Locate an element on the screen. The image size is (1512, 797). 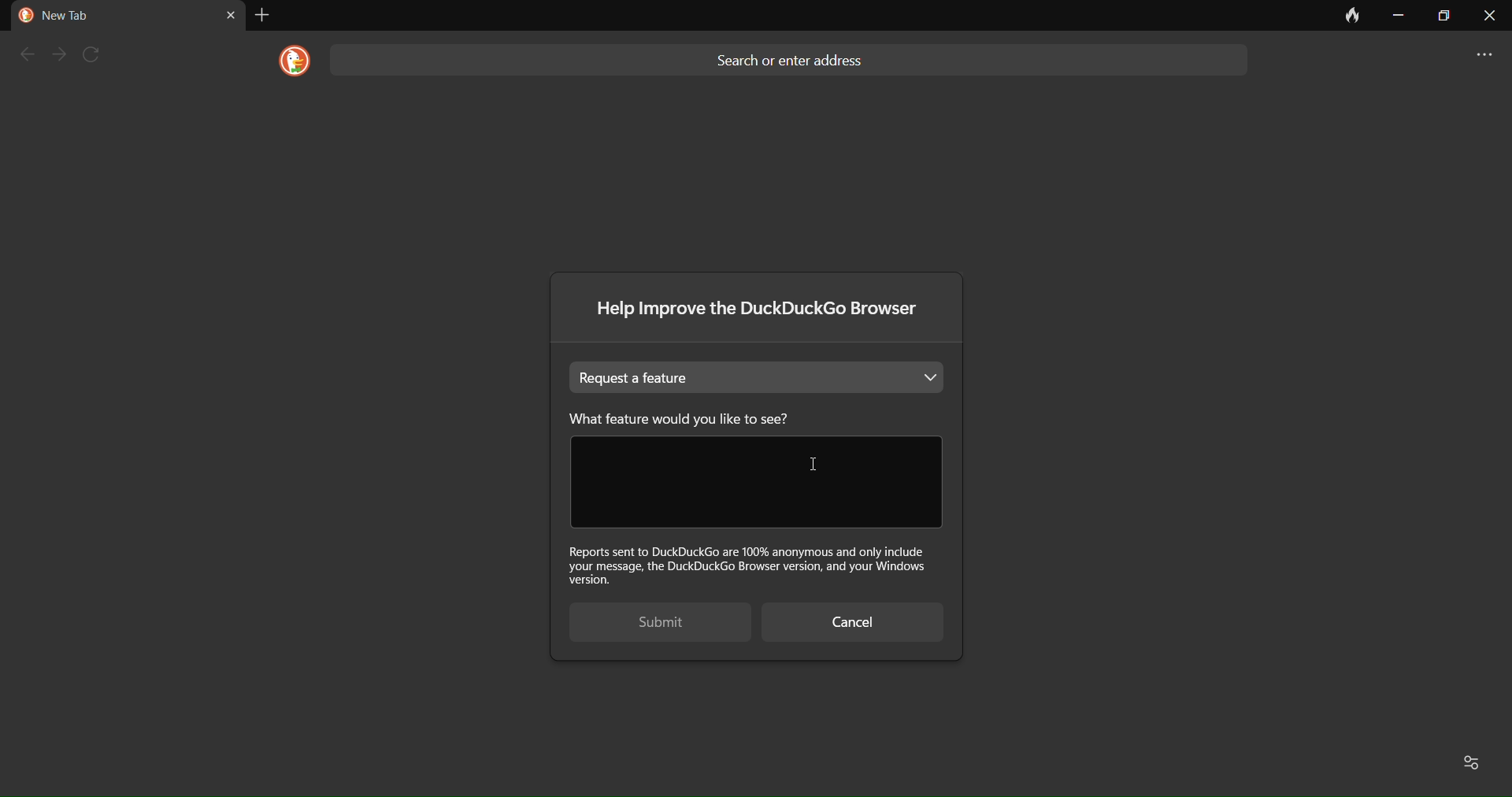
cancel is located at coordinates (851, 624).